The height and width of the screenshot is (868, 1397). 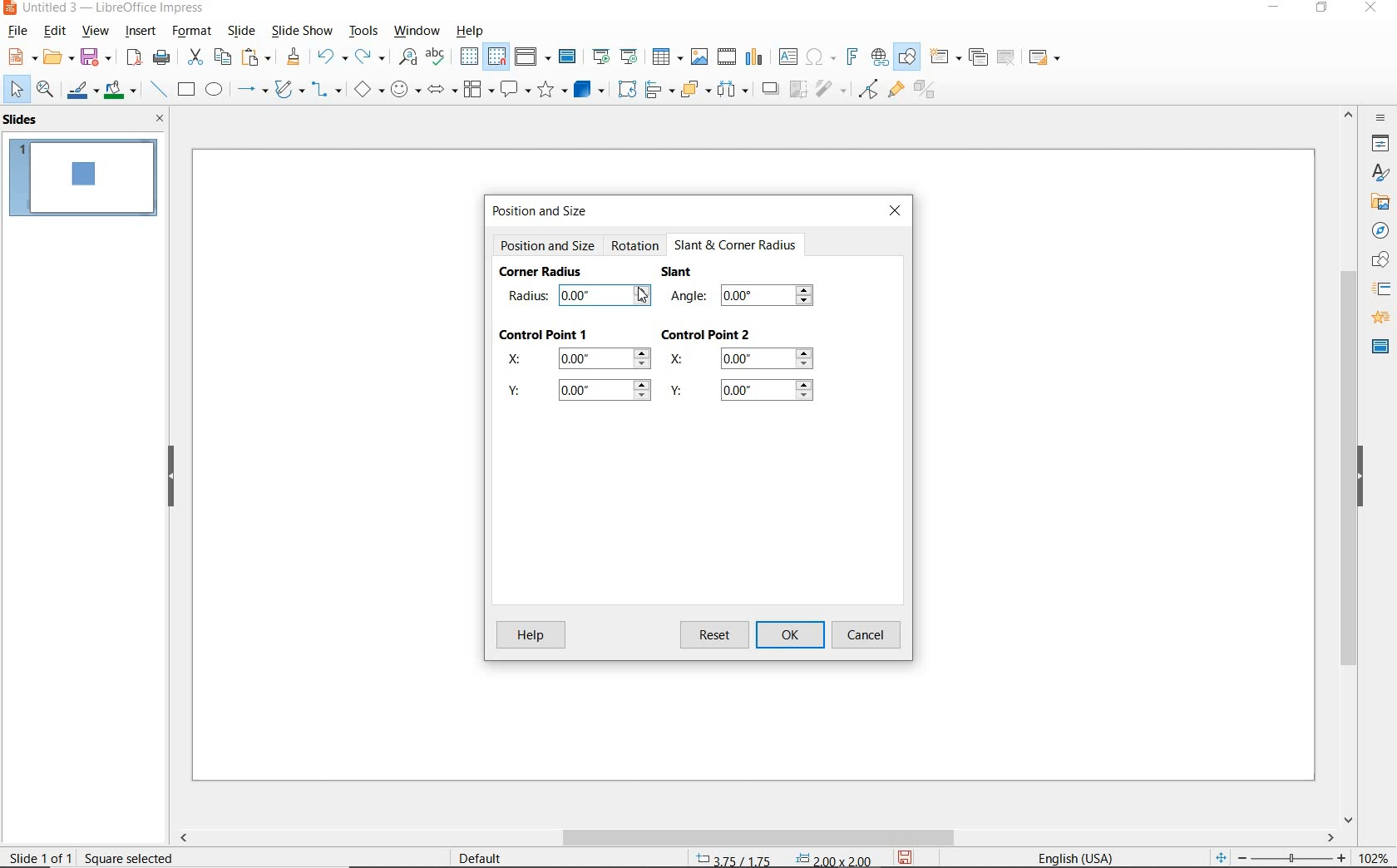 I want to click on toggle extrusion, so click(x=923, y=91).